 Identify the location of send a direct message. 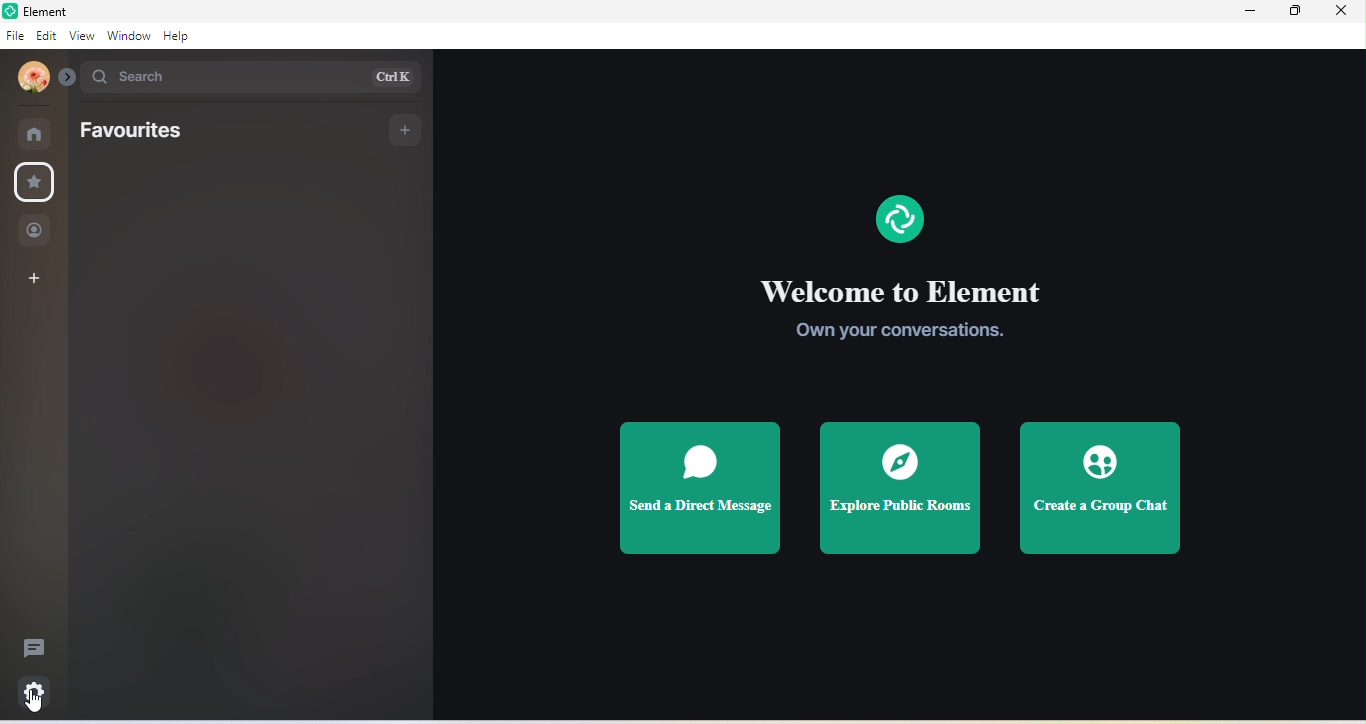
(699, 490).